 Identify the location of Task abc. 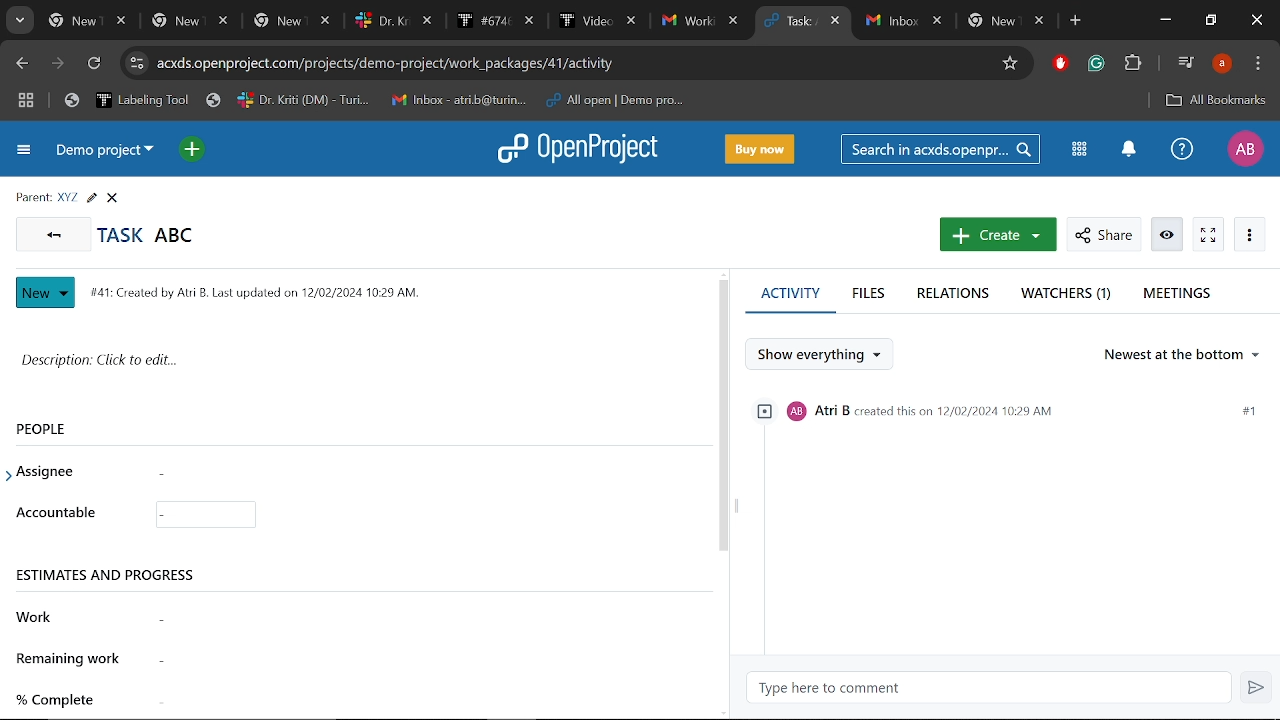
(160, 236).